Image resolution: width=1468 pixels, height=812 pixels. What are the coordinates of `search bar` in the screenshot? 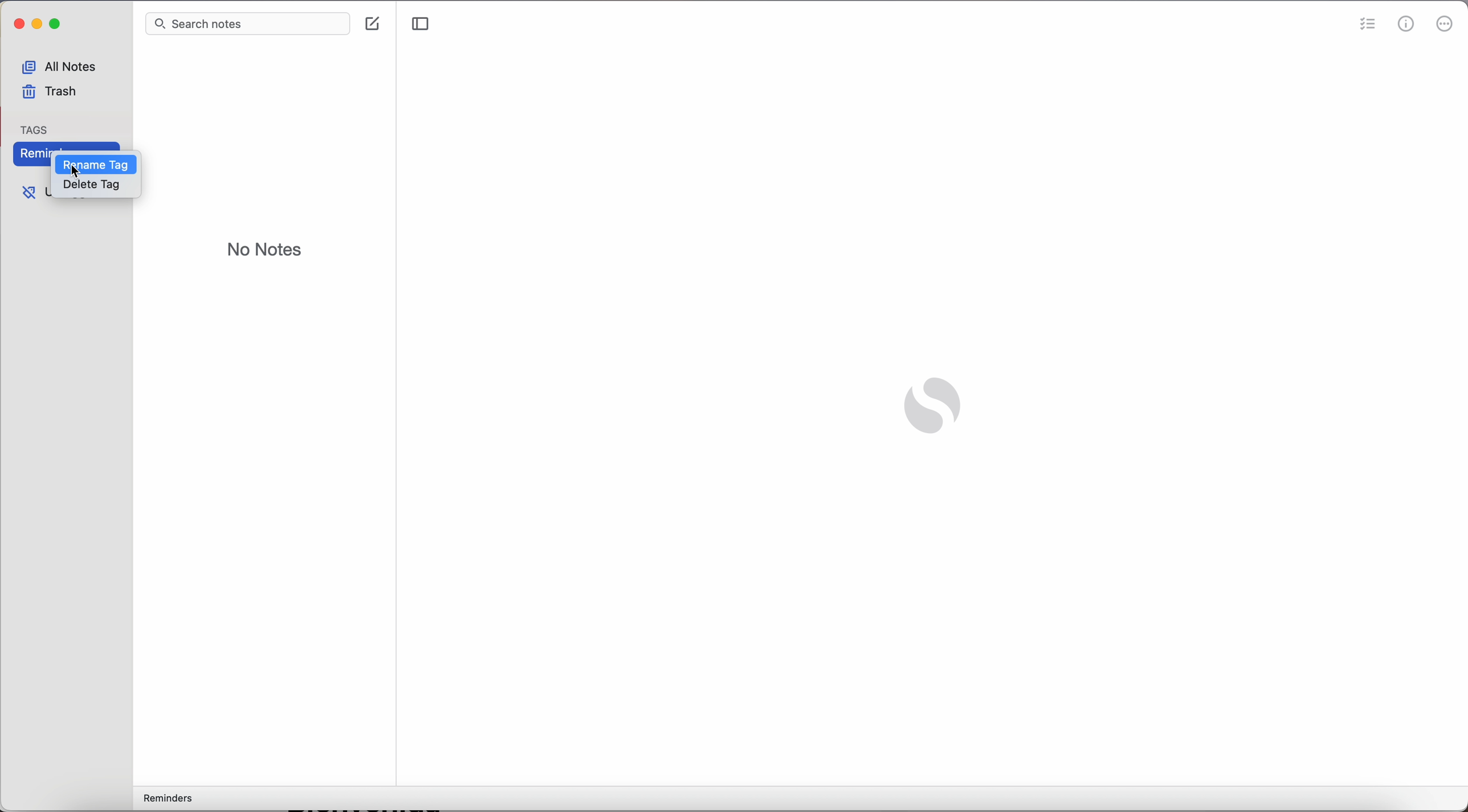 It's located at (250, 25).